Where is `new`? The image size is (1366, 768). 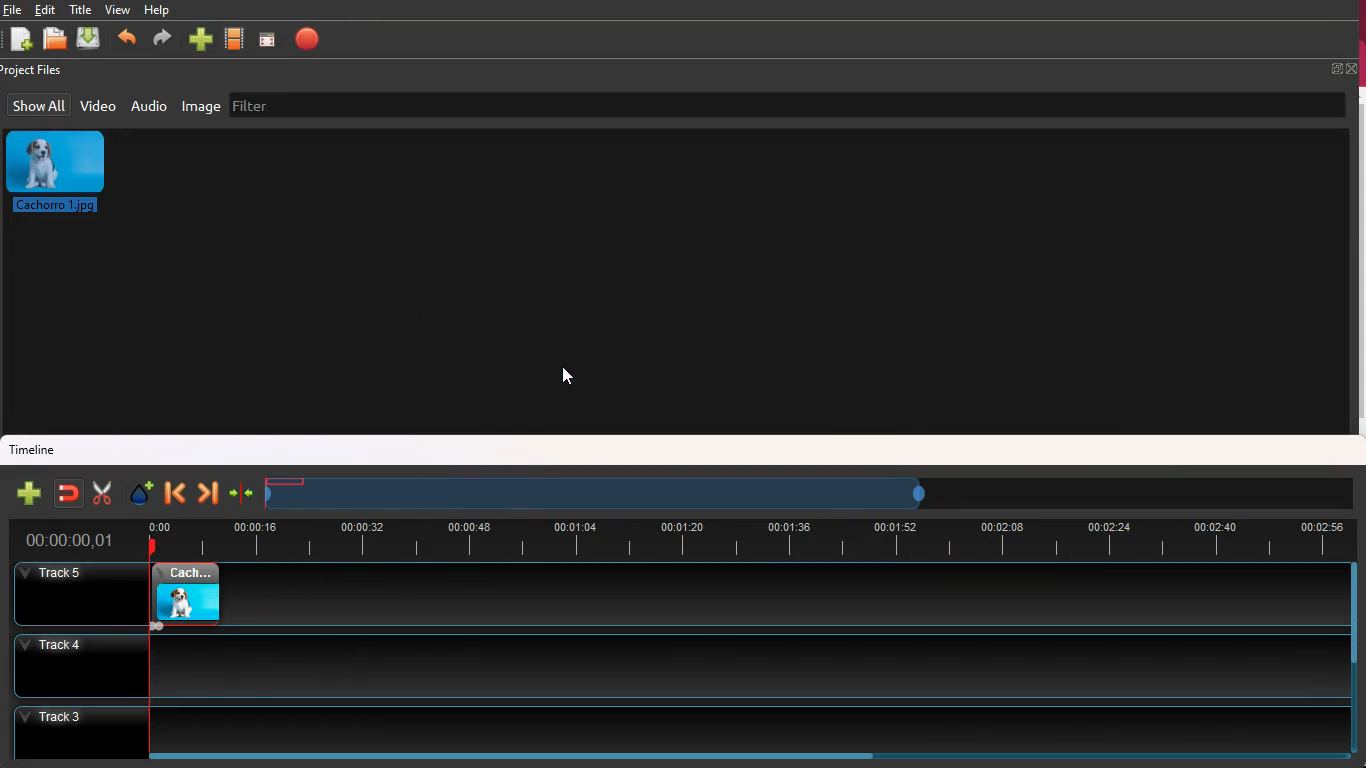
new is located at coordinates (29, 493).